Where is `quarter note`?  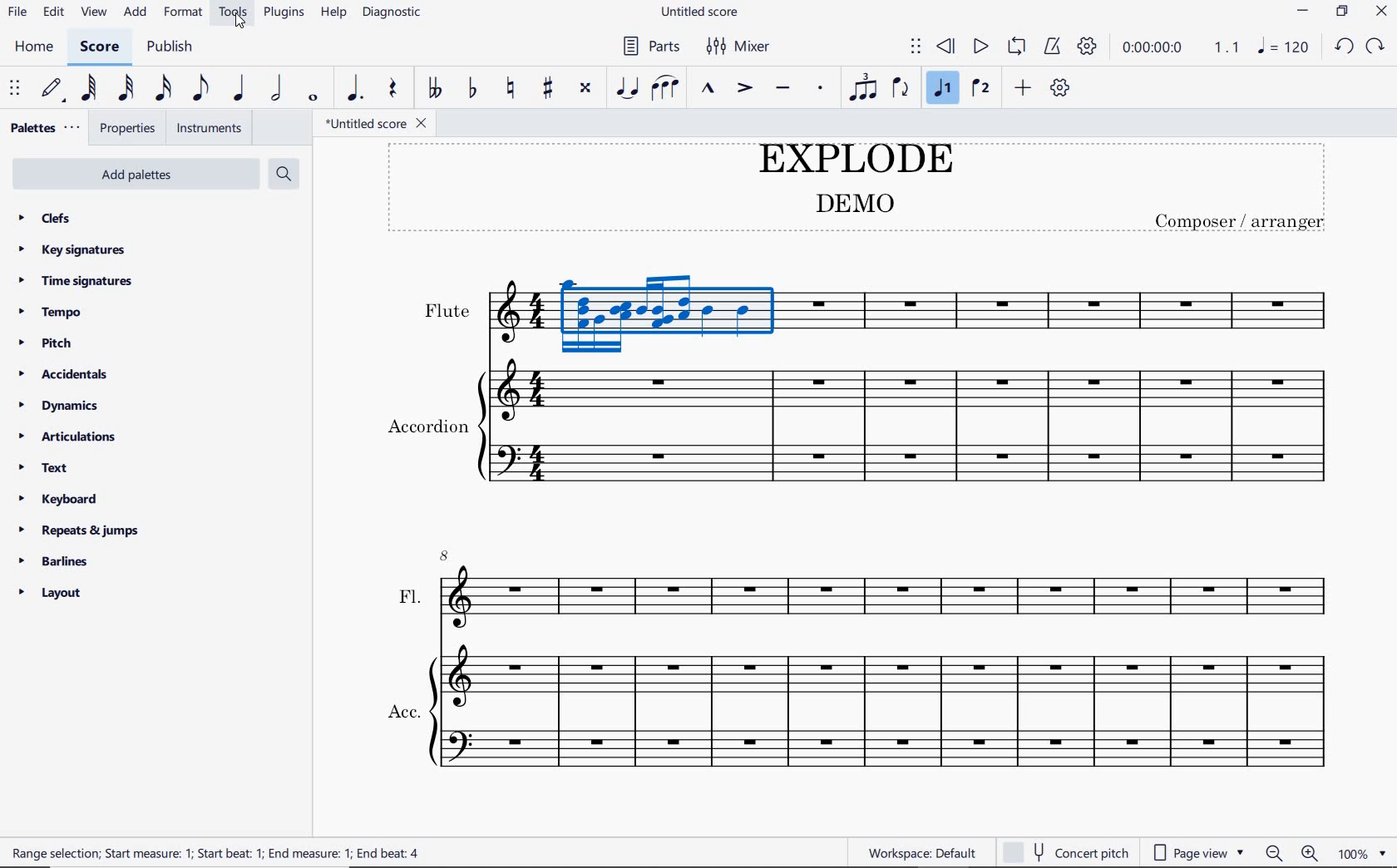
quarter note is located at coordinates (238, 89).